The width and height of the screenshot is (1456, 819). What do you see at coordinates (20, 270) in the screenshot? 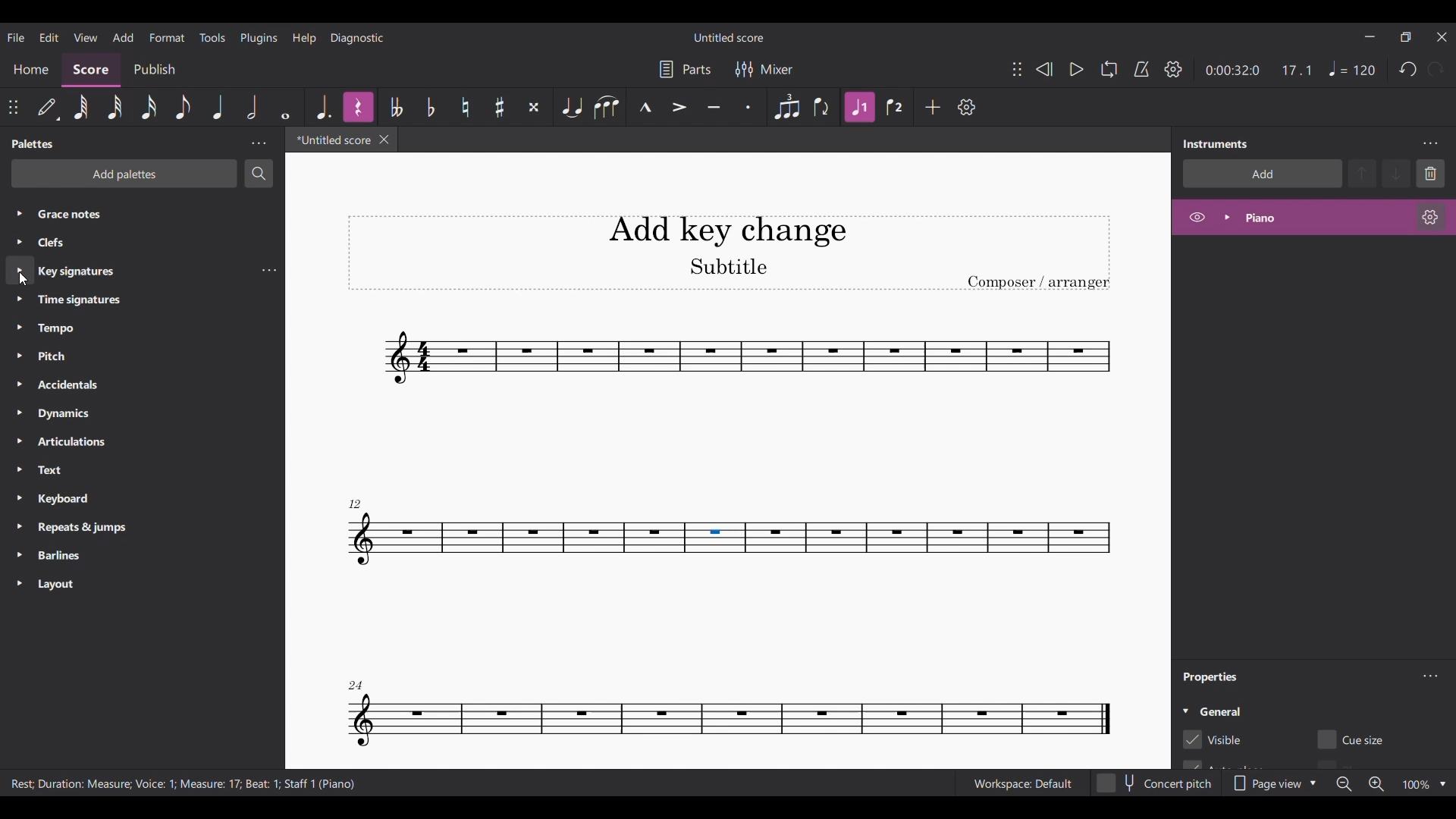
I see `Current selection highlighted` at bounding box center [20, 270].